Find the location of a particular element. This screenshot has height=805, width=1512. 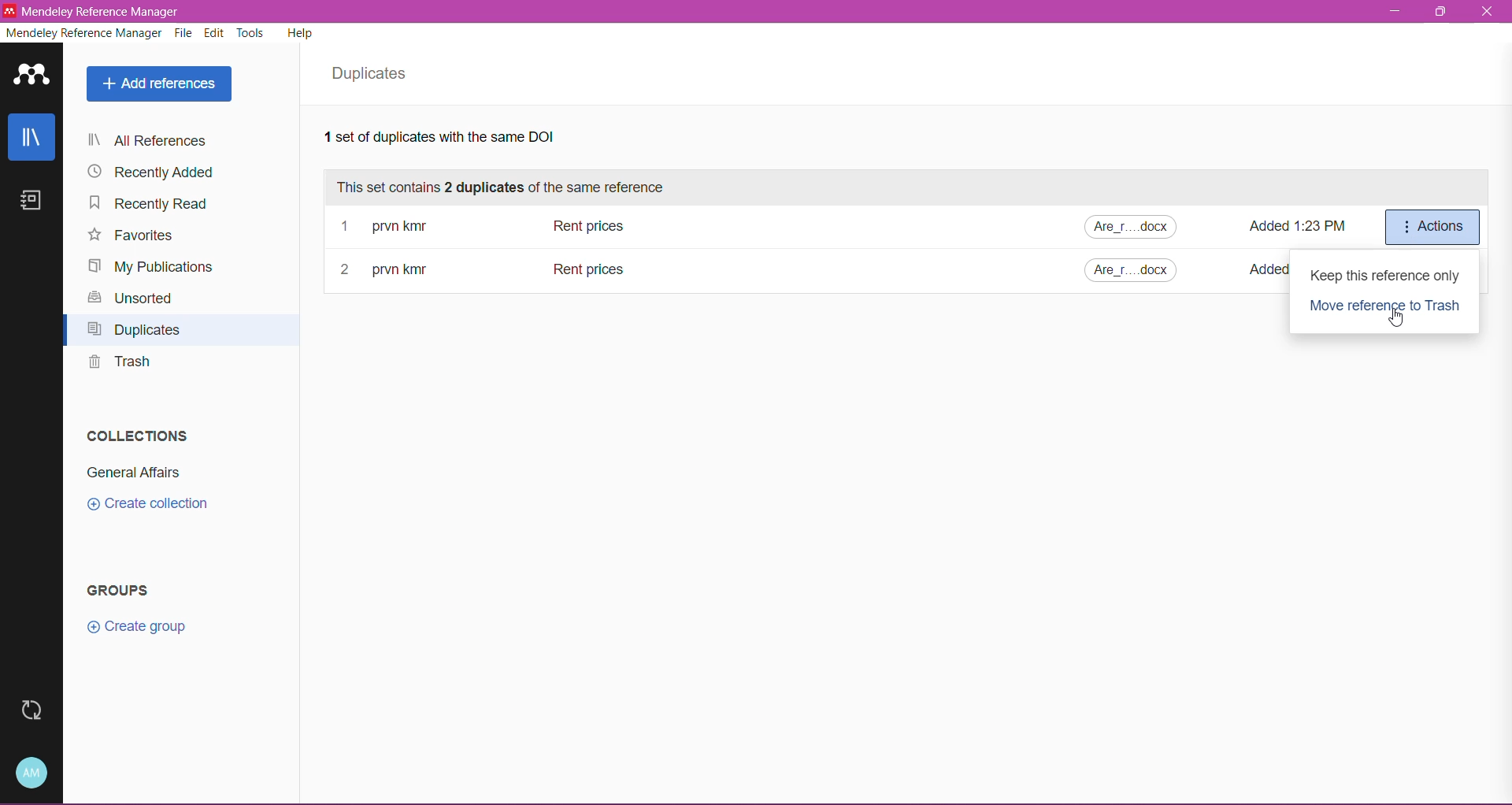

Unsorted is located at coordinates (131, 299).